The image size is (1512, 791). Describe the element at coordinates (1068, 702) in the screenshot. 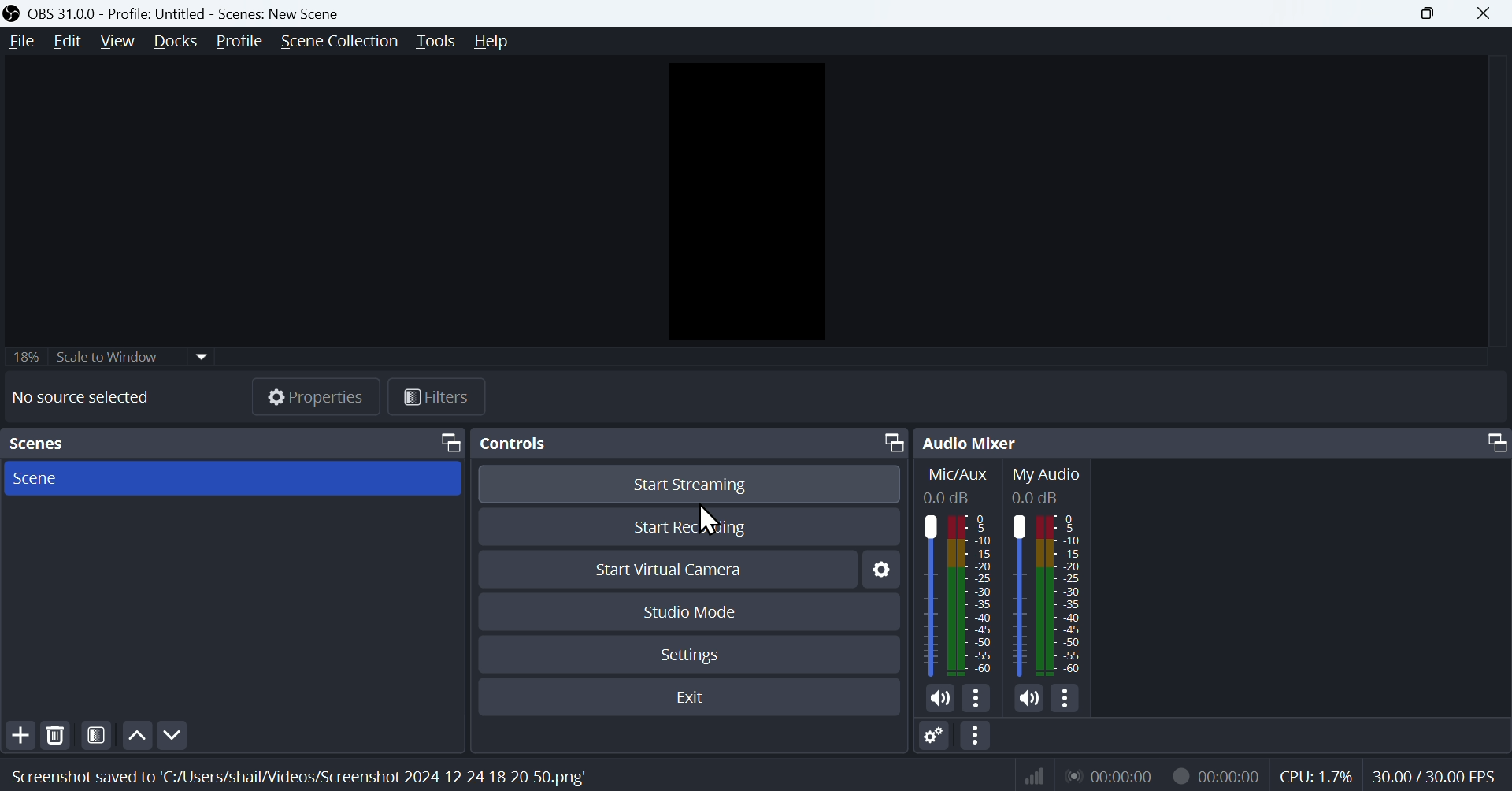

I see `More` at that location.